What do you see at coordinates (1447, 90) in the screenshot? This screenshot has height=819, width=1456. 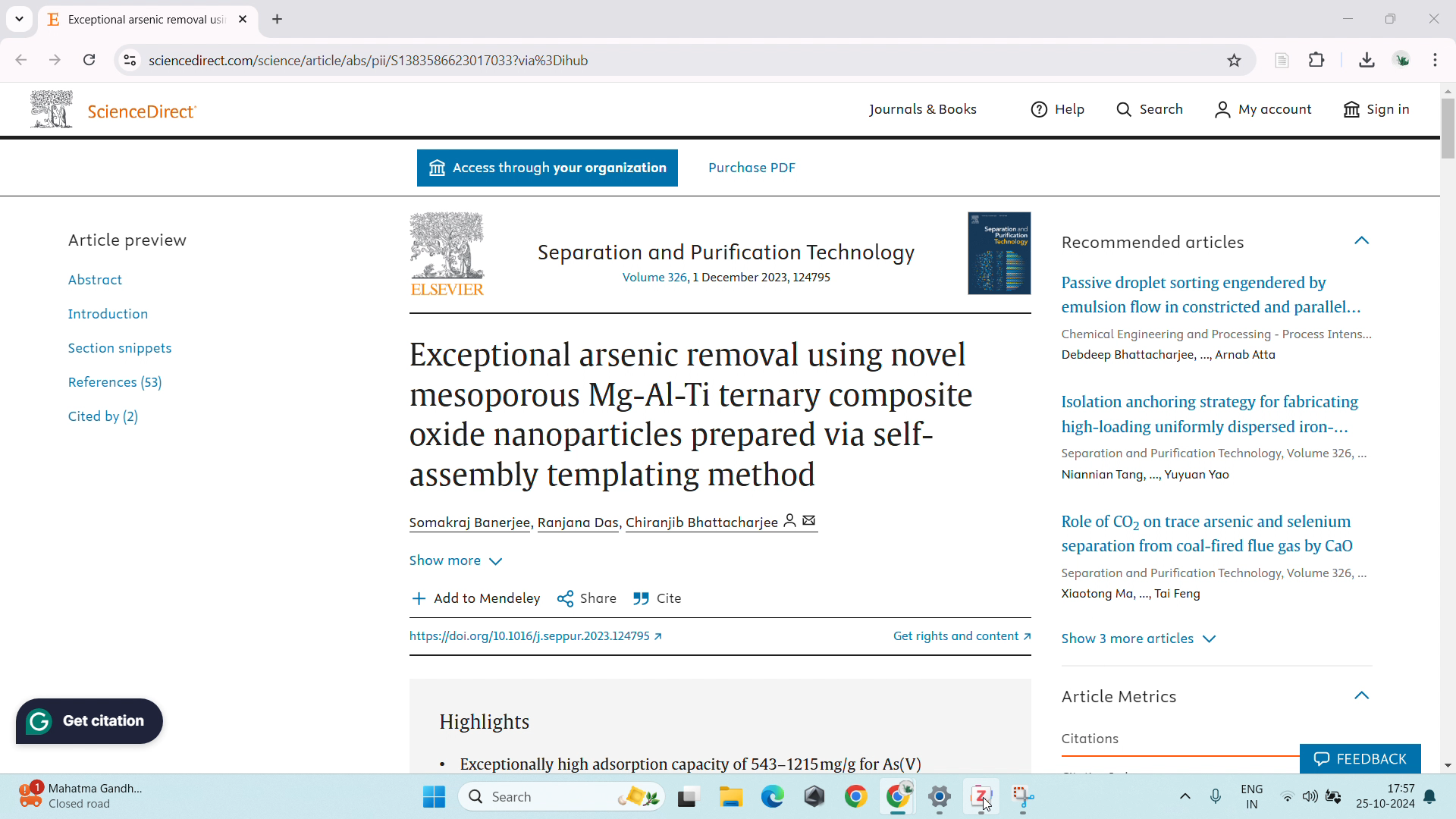 I see `scroll up` at bounding box center [1447, 90].